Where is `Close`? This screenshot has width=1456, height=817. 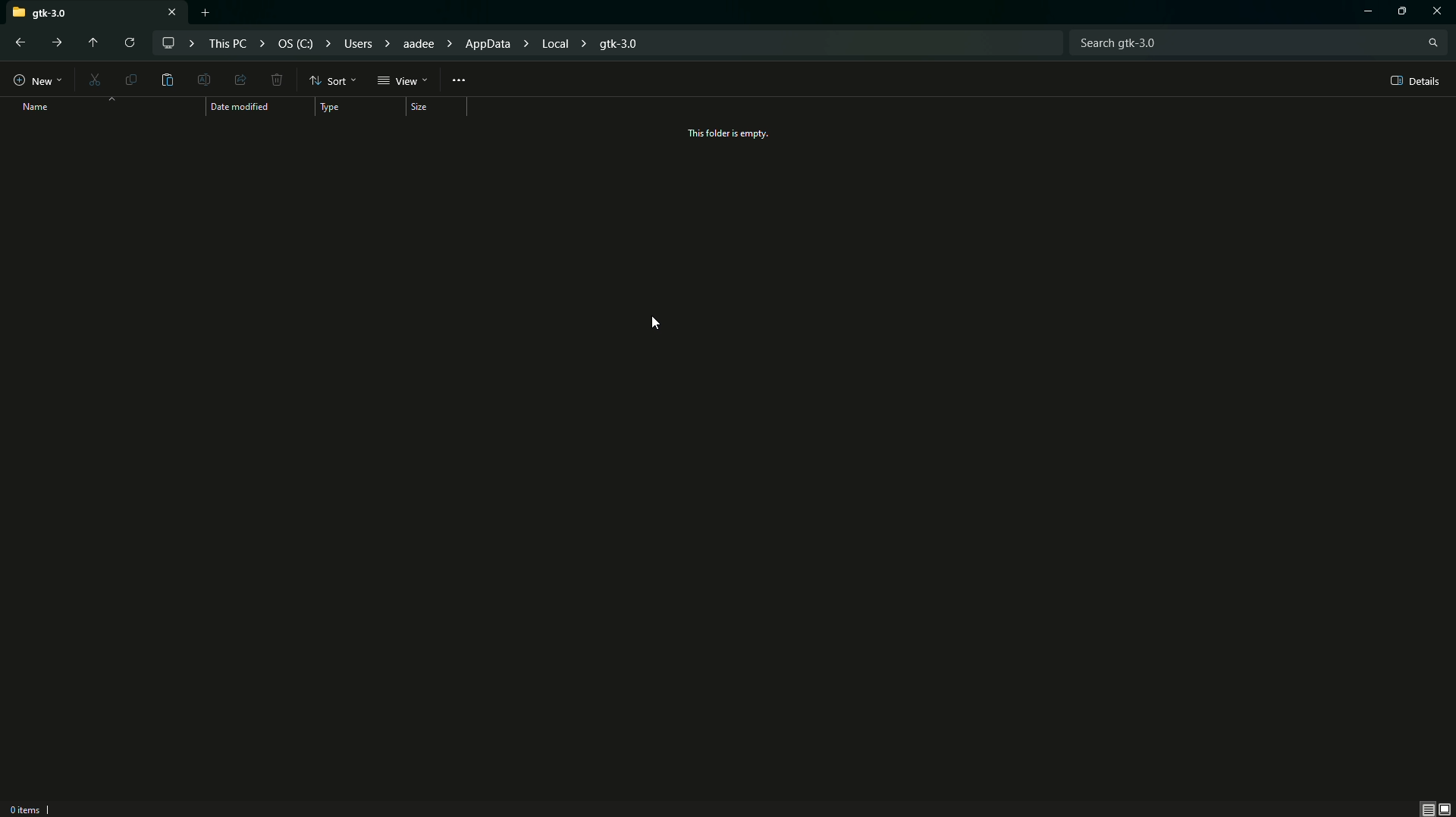 Close is located at coordinates (1440, 11).